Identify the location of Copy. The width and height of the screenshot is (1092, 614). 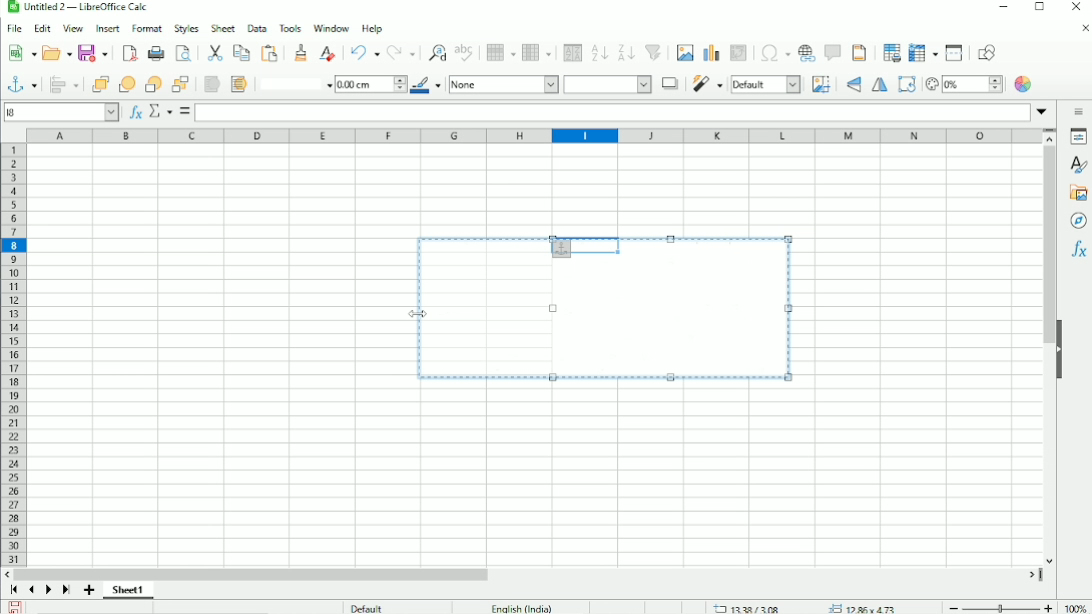
(241, 52).